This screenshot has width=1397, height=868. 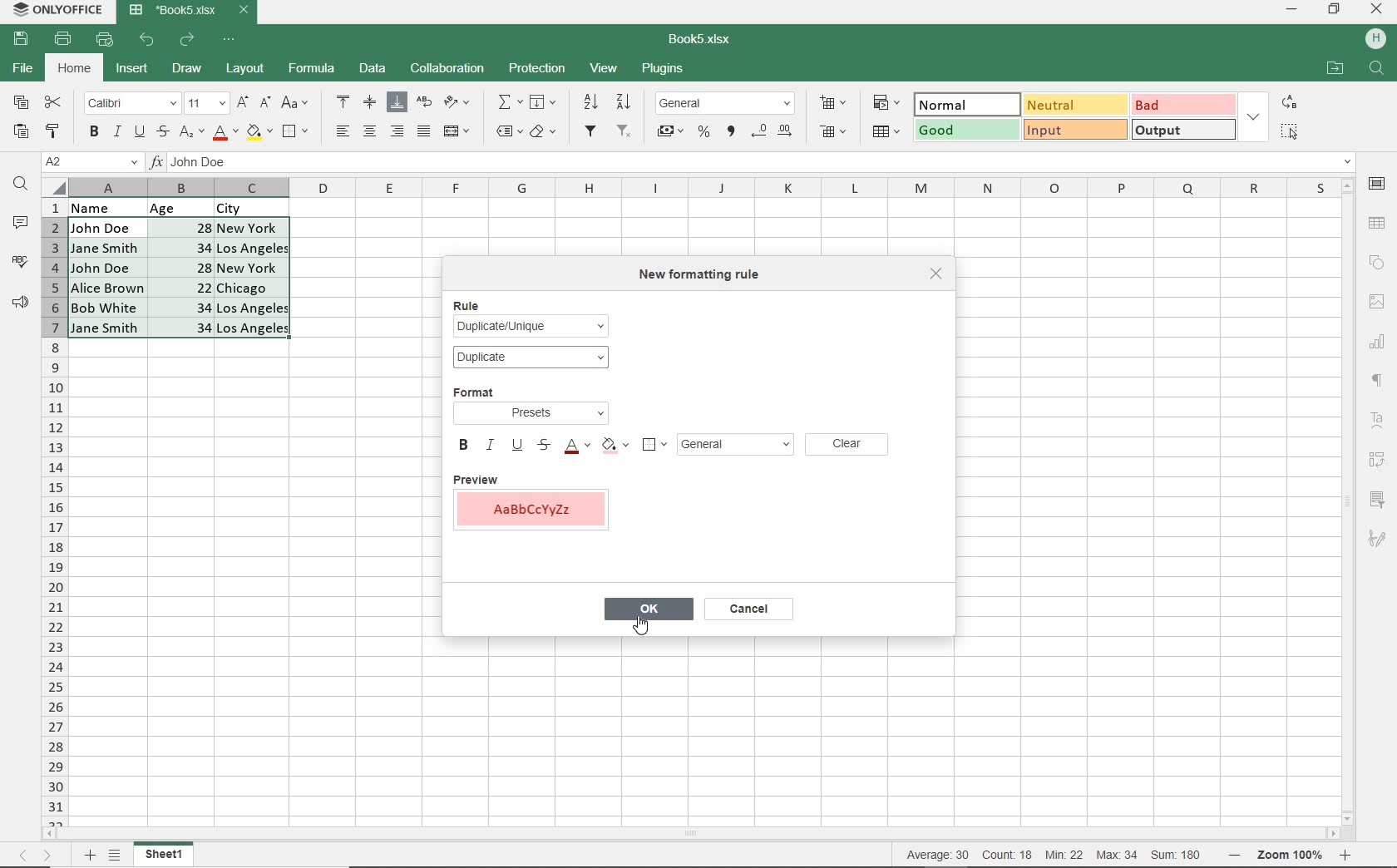 What do you see at coordinates (53, 129) in the screenshot?
I see `COPY STYLE` at bounding box center [53, 129].